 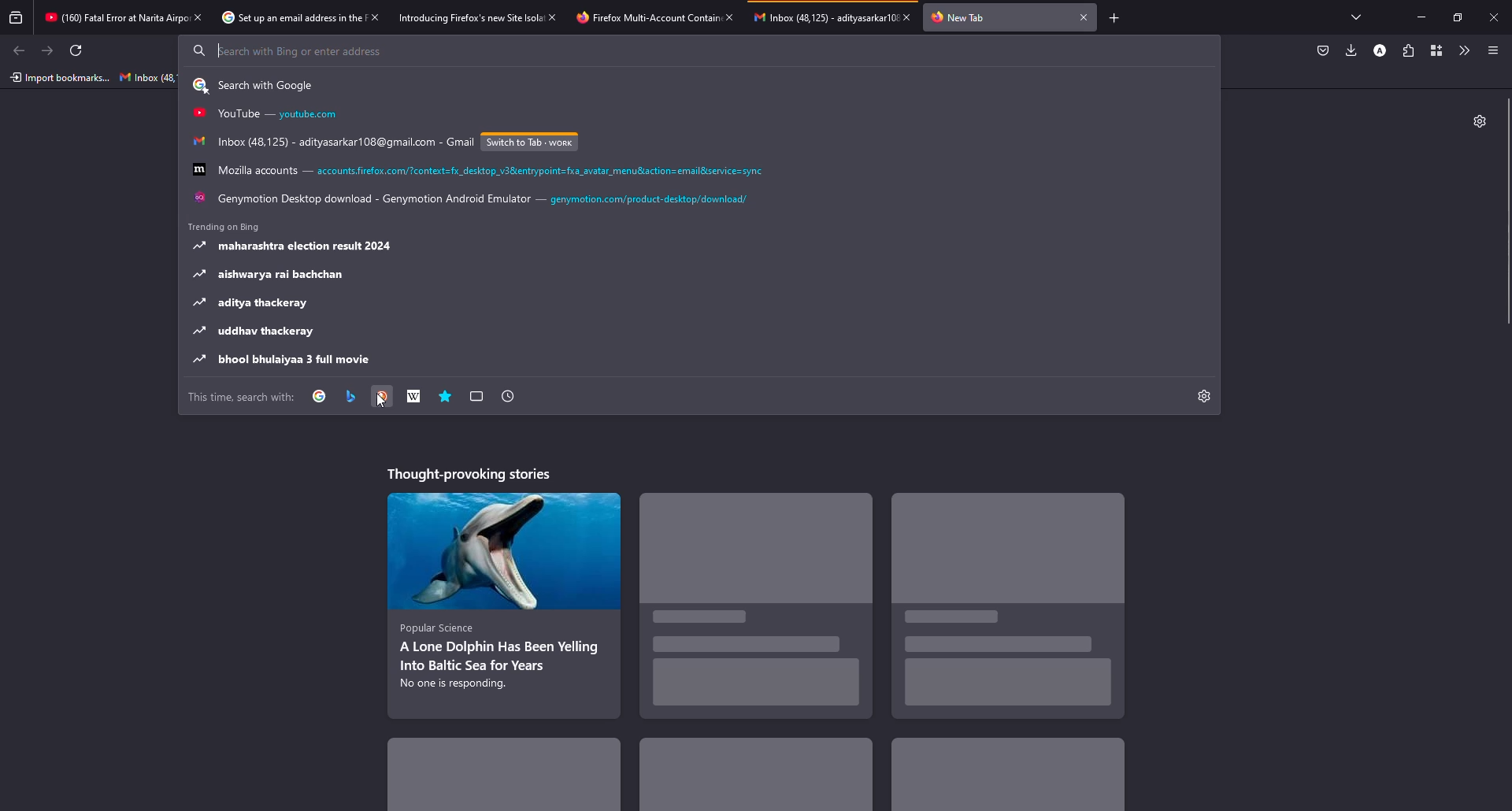 What do you see at coordinates (475, 201) in the screenshot?
I see `search options` at bounding box center [475, 201].